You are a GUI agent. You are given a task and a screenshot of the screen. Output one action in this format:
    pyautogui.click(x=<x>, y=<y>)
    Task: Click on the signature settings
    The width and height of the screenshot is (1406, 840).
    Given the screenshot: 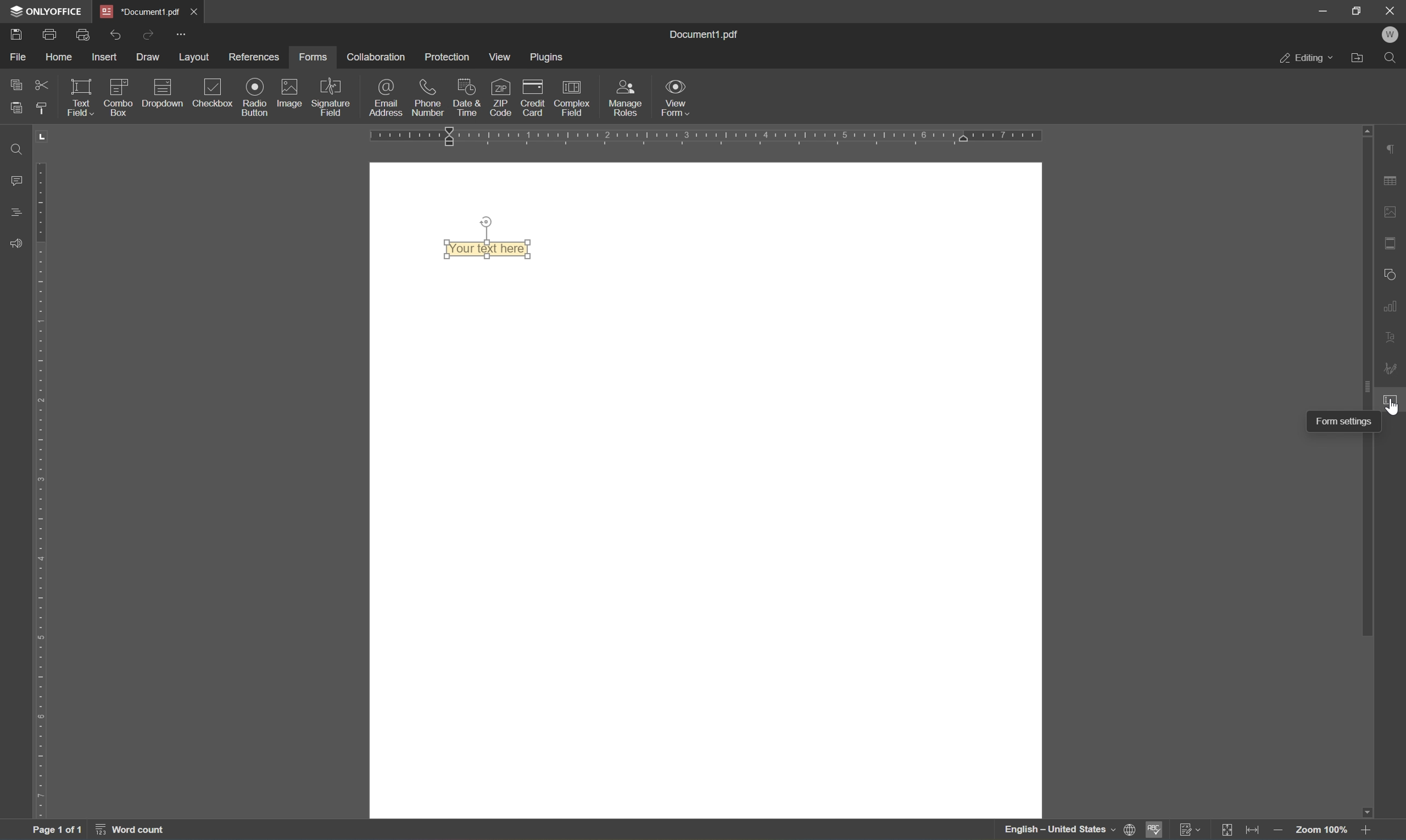 What is the action you would take?
    pyautogui.click(x=1392, y=368)
    